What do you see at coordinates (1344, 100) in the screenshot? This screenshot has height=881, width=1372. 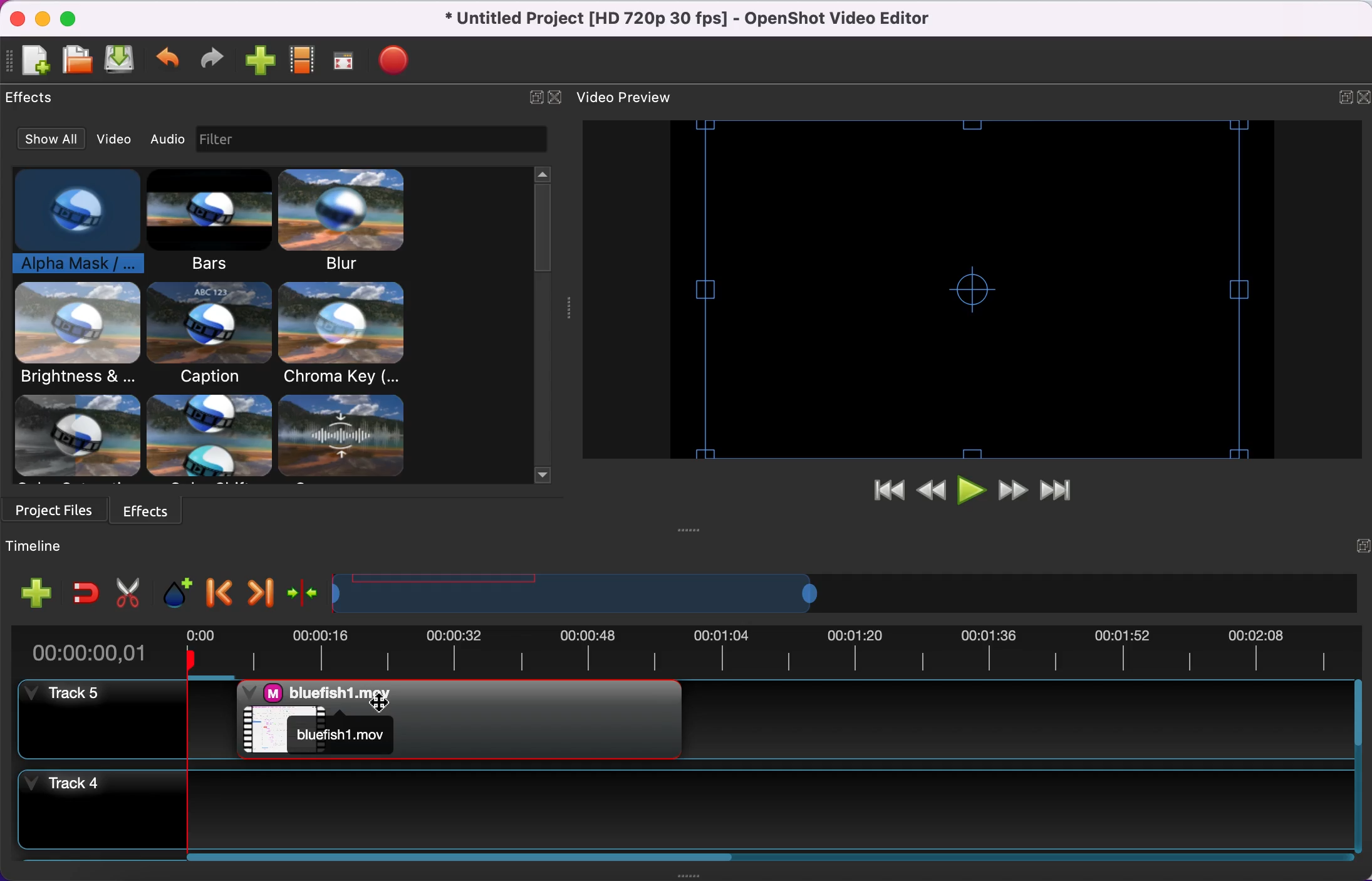 I see `expand/hide` at bounding box center [1344, 100].